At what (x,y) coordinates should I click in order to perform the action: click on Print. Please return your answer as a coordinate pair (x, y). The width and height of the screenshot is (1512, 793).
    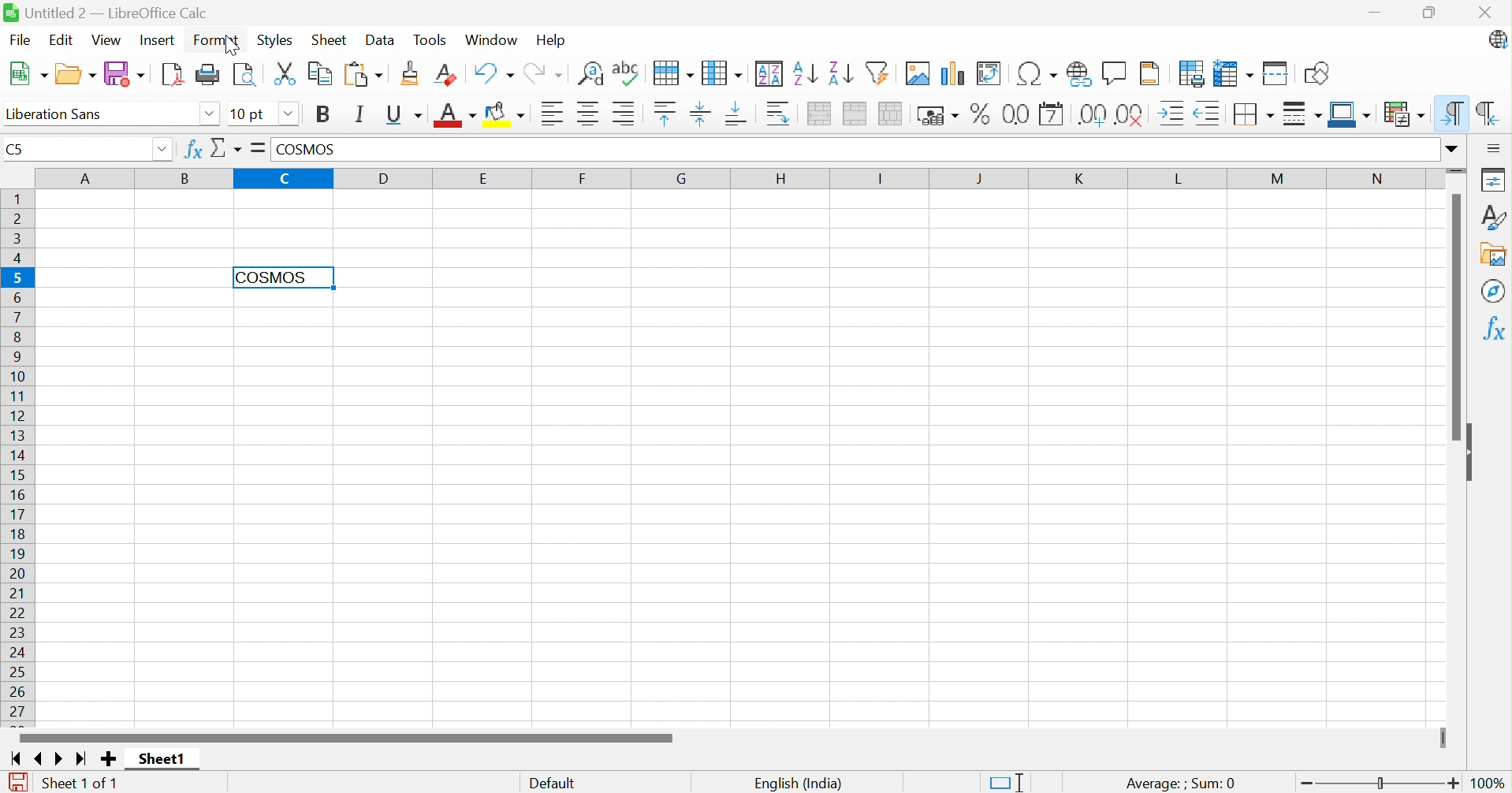
    Looking at the image, I should click on (210, 76).